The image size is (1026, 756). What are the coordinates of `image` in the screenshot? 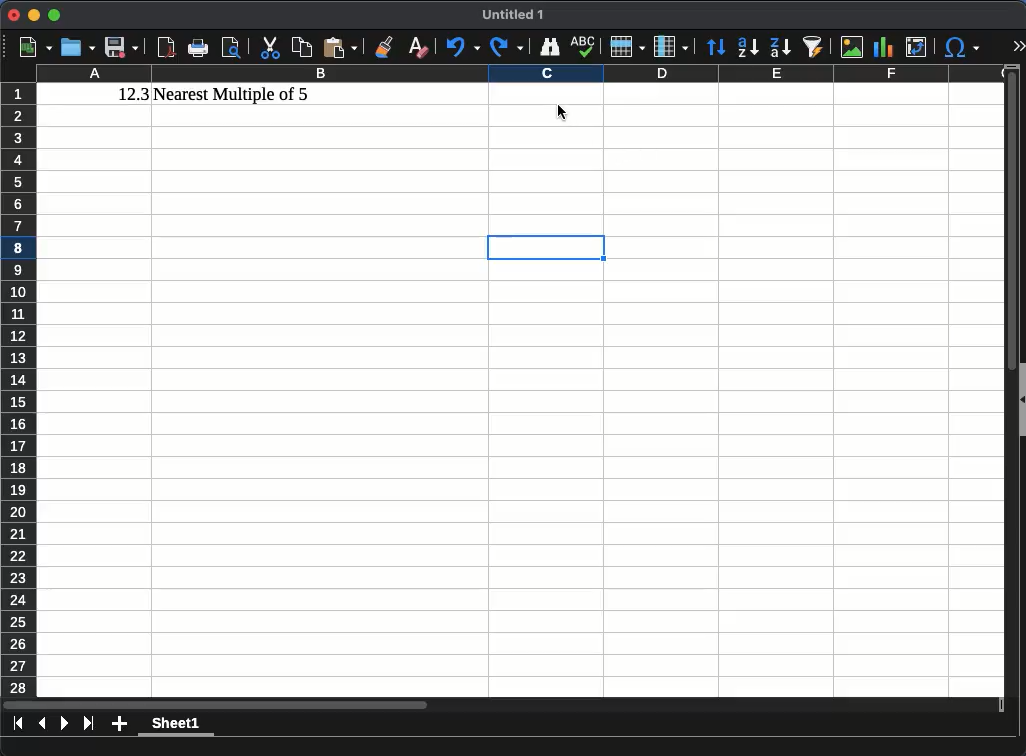 It's located at (850, 47).